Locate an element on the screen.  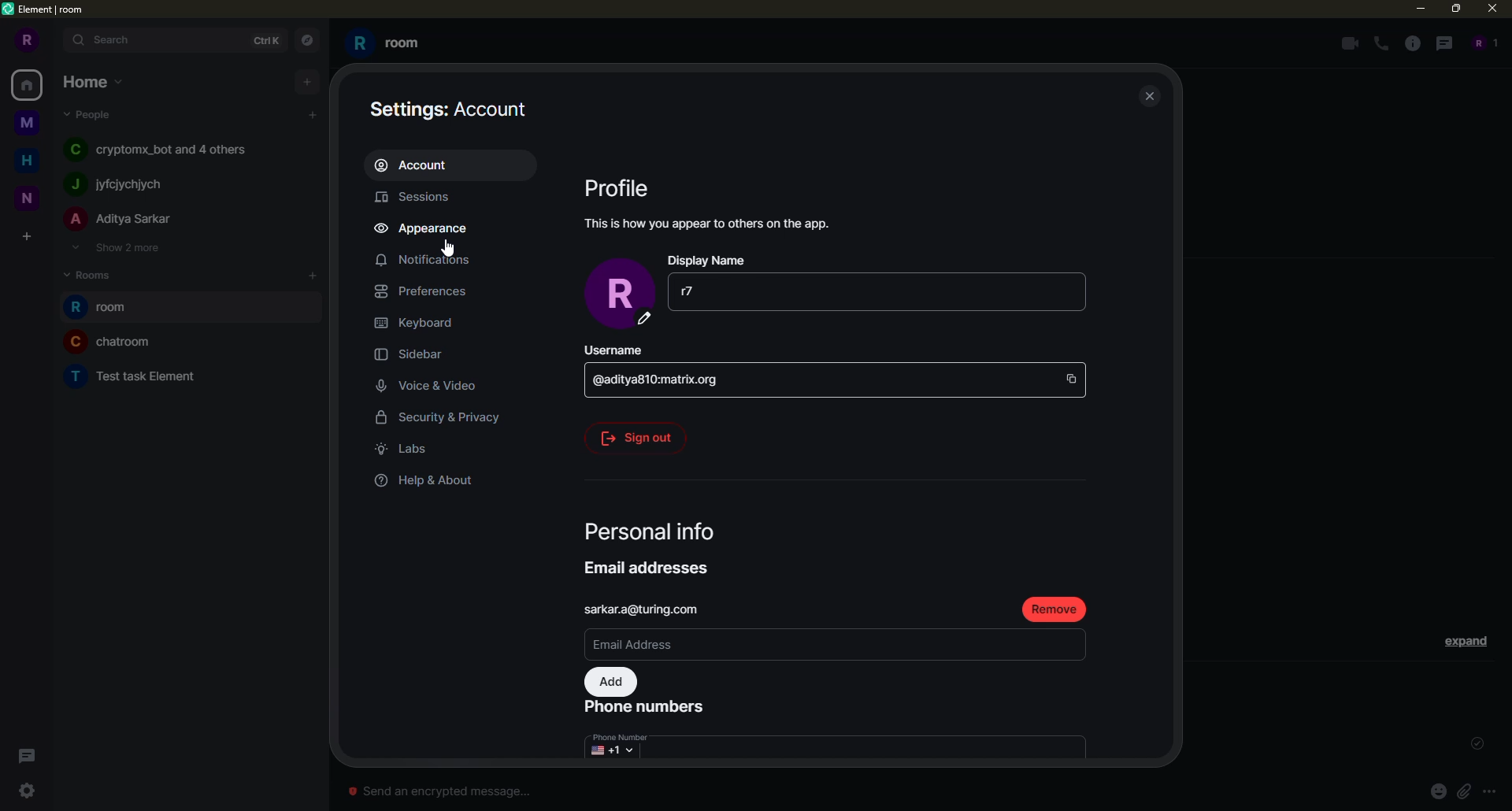
more is located at coordinates (1490, 792).